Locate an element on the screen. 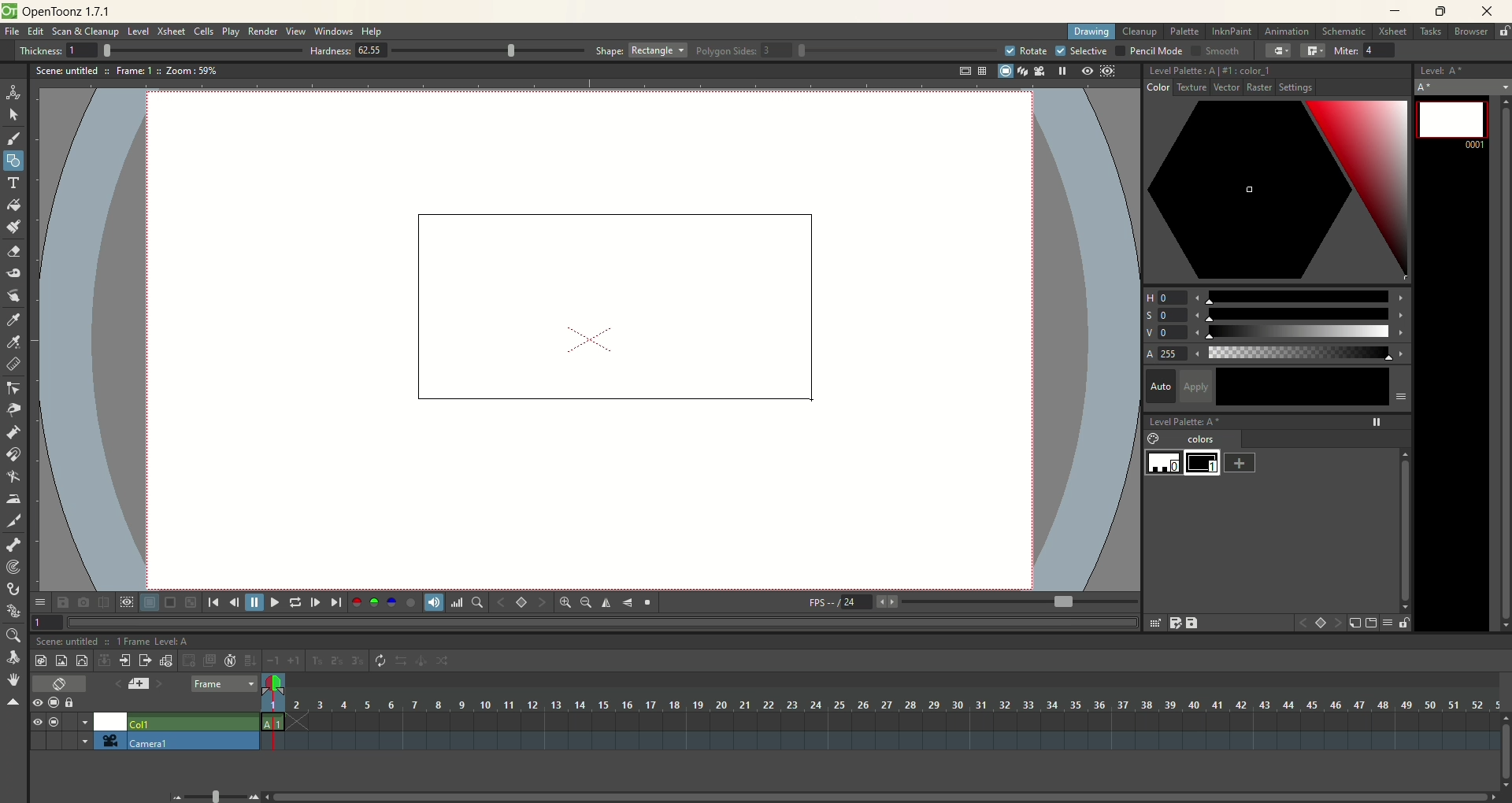 This screenshot has height=803, width=1512. camera1 is located at coordinates (193, 741).